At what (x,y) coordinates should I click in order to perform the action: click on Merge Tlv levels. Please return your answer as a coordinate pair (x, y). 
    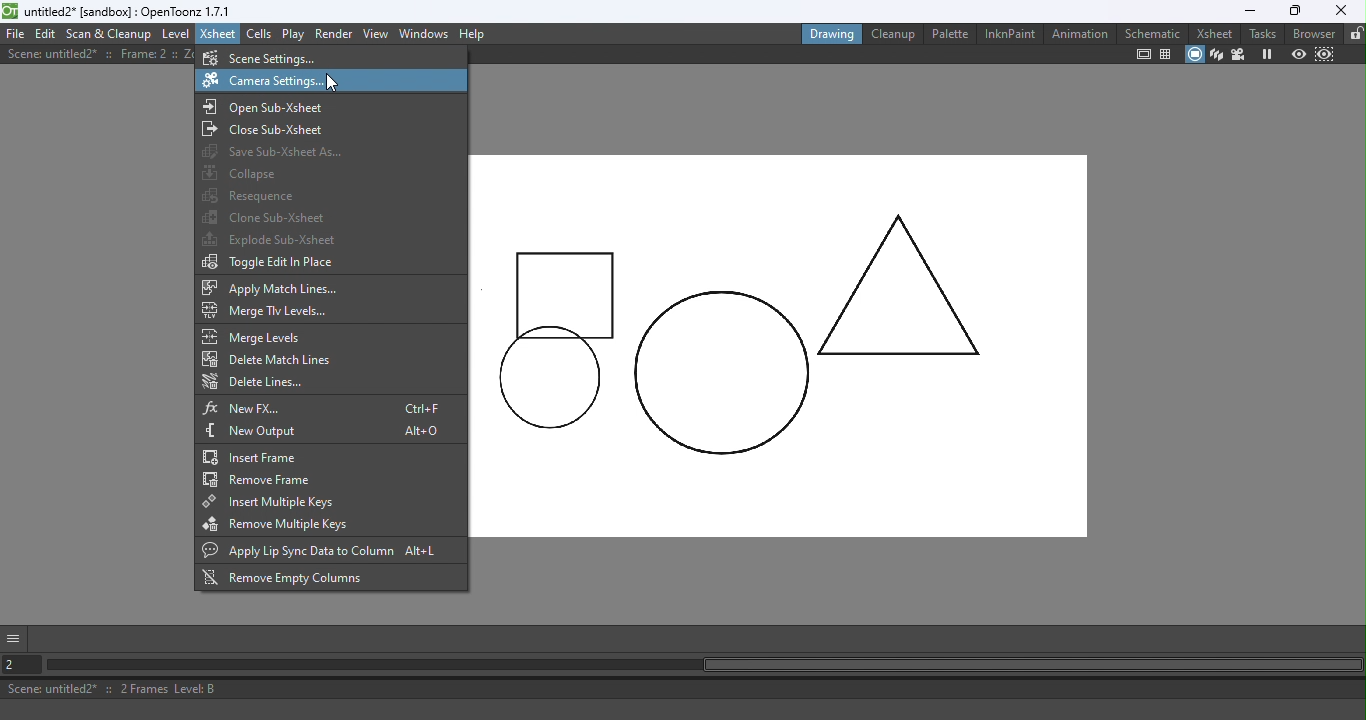
    Looking at the image, I should click on (269, 311).